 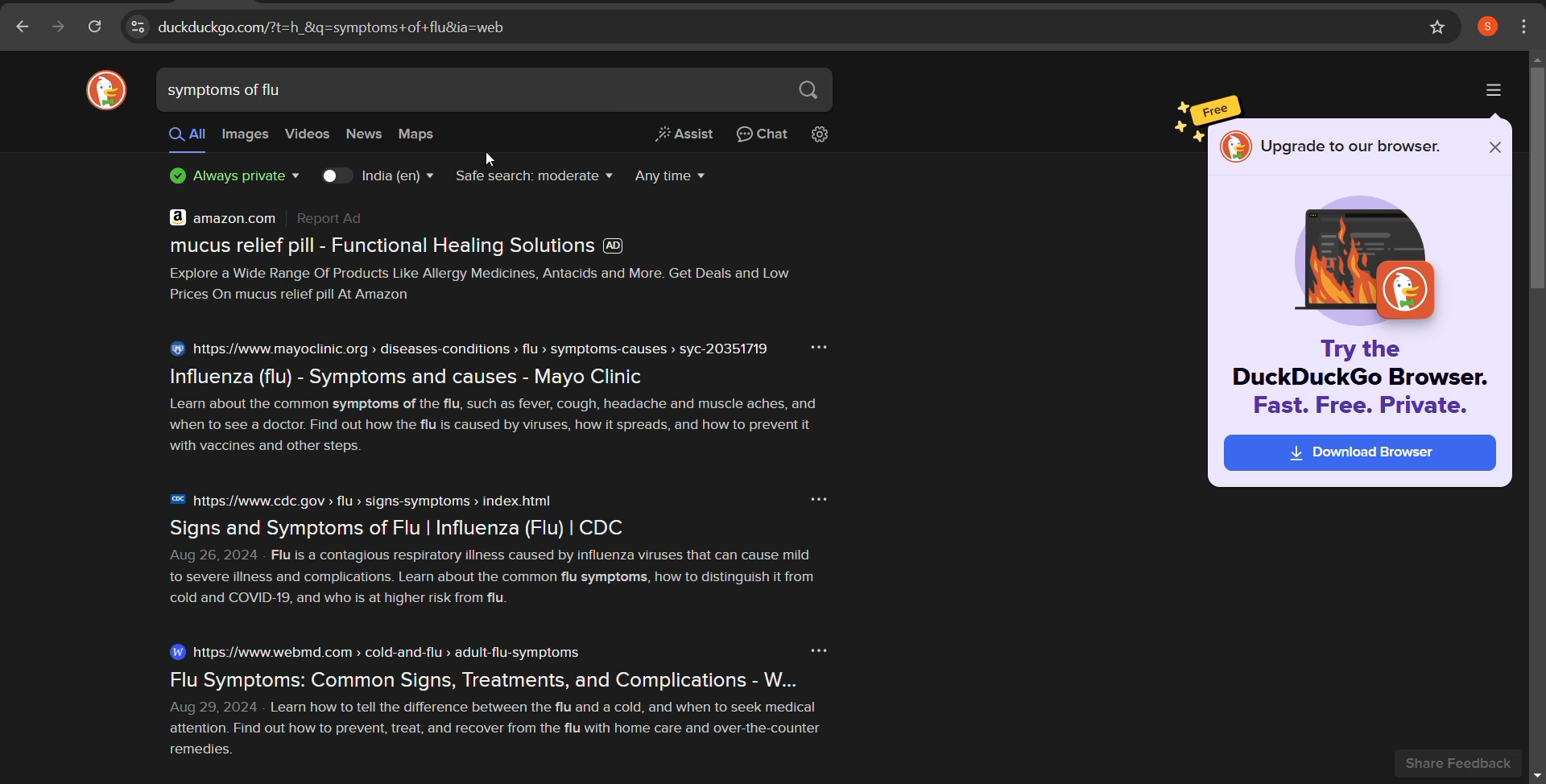 I want to click on all, so click(x=187, y=137).